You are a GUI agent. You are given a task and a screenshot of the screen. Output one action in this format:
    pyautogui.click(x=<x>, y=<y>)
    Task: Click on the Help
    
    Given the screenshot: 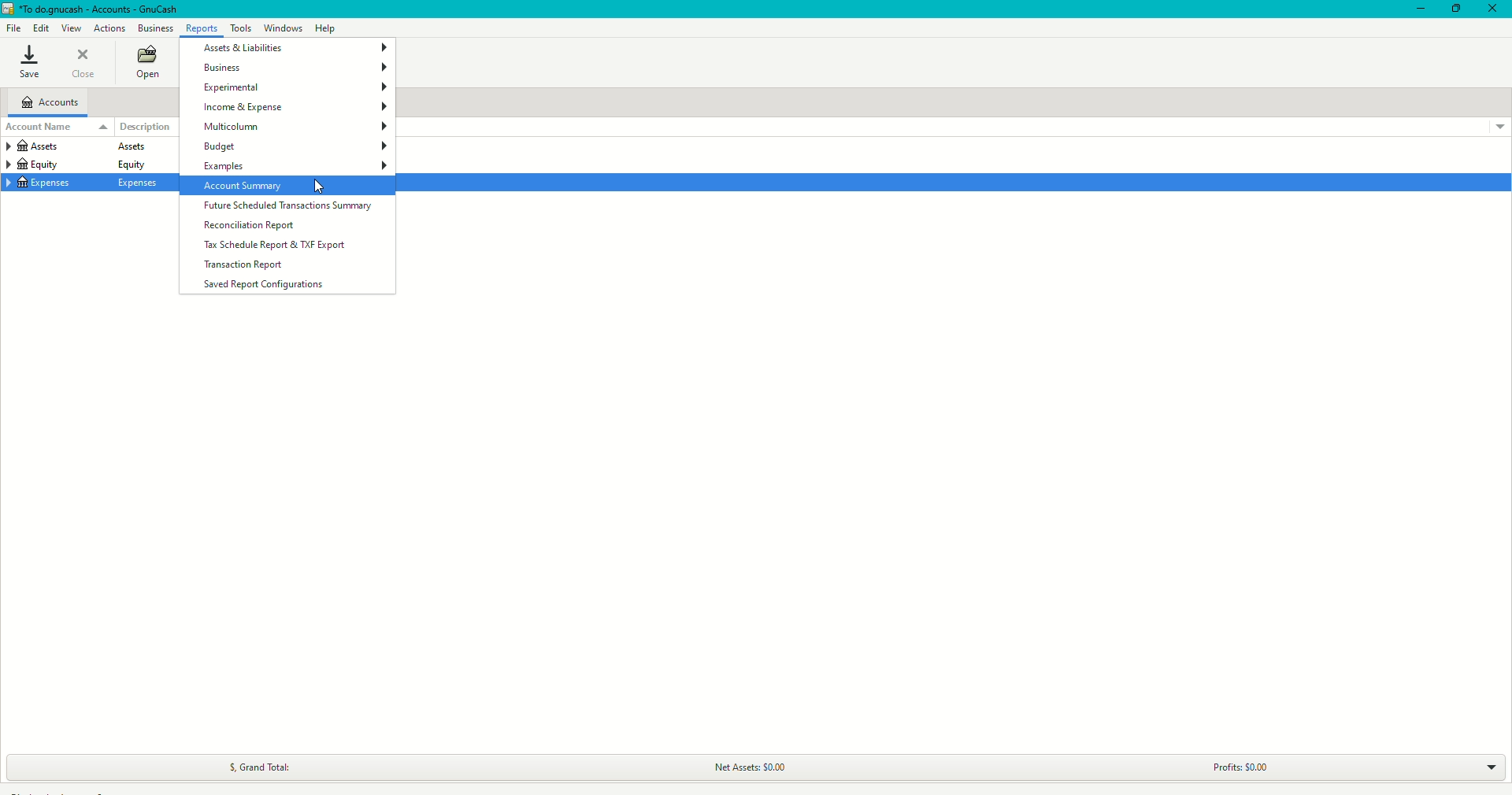 What is the action you would take?
    pyautogui.click(x=328, y=28)
    